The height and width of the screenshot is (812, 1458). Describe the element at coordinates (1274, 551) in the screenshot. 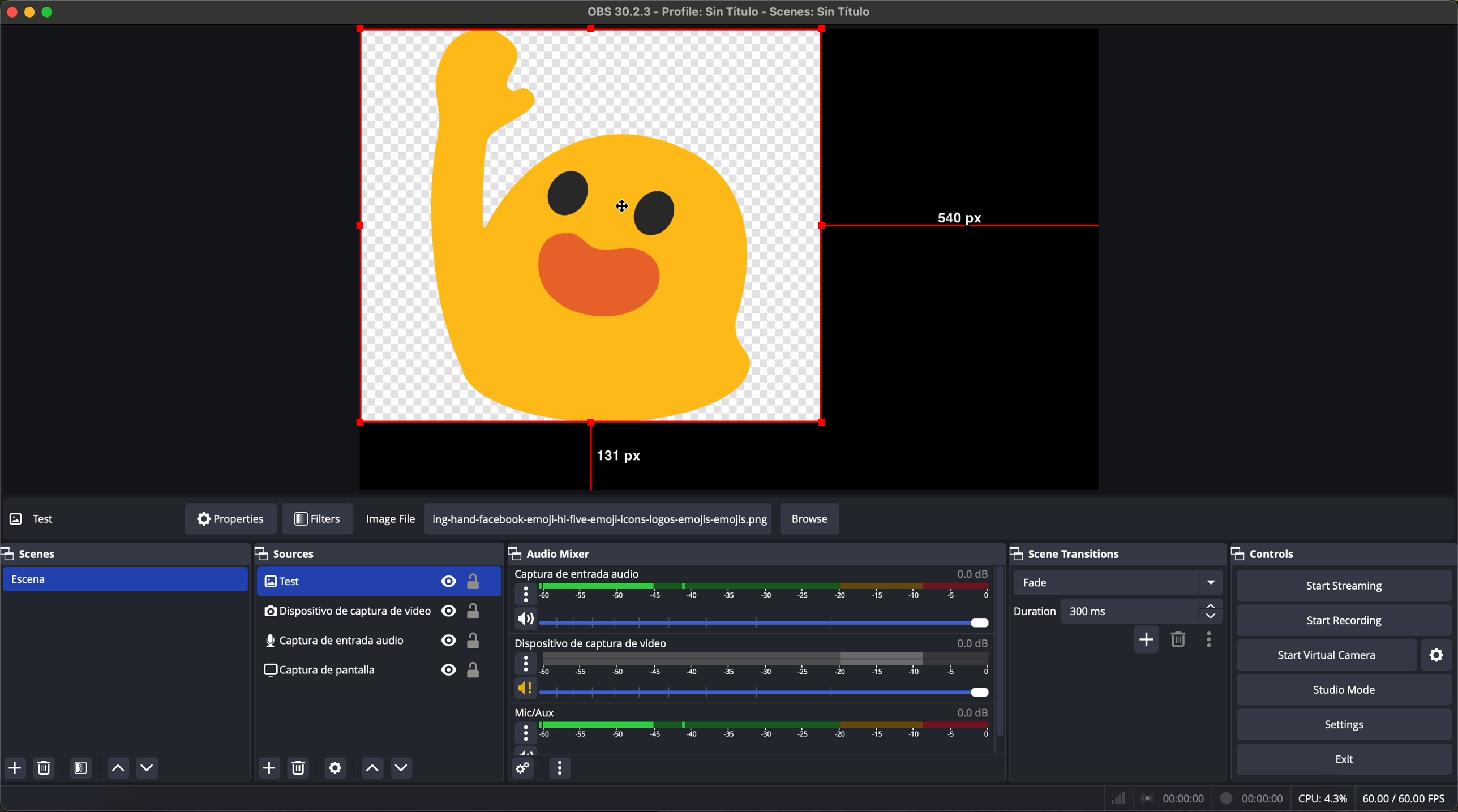

I see `controls` at that location.